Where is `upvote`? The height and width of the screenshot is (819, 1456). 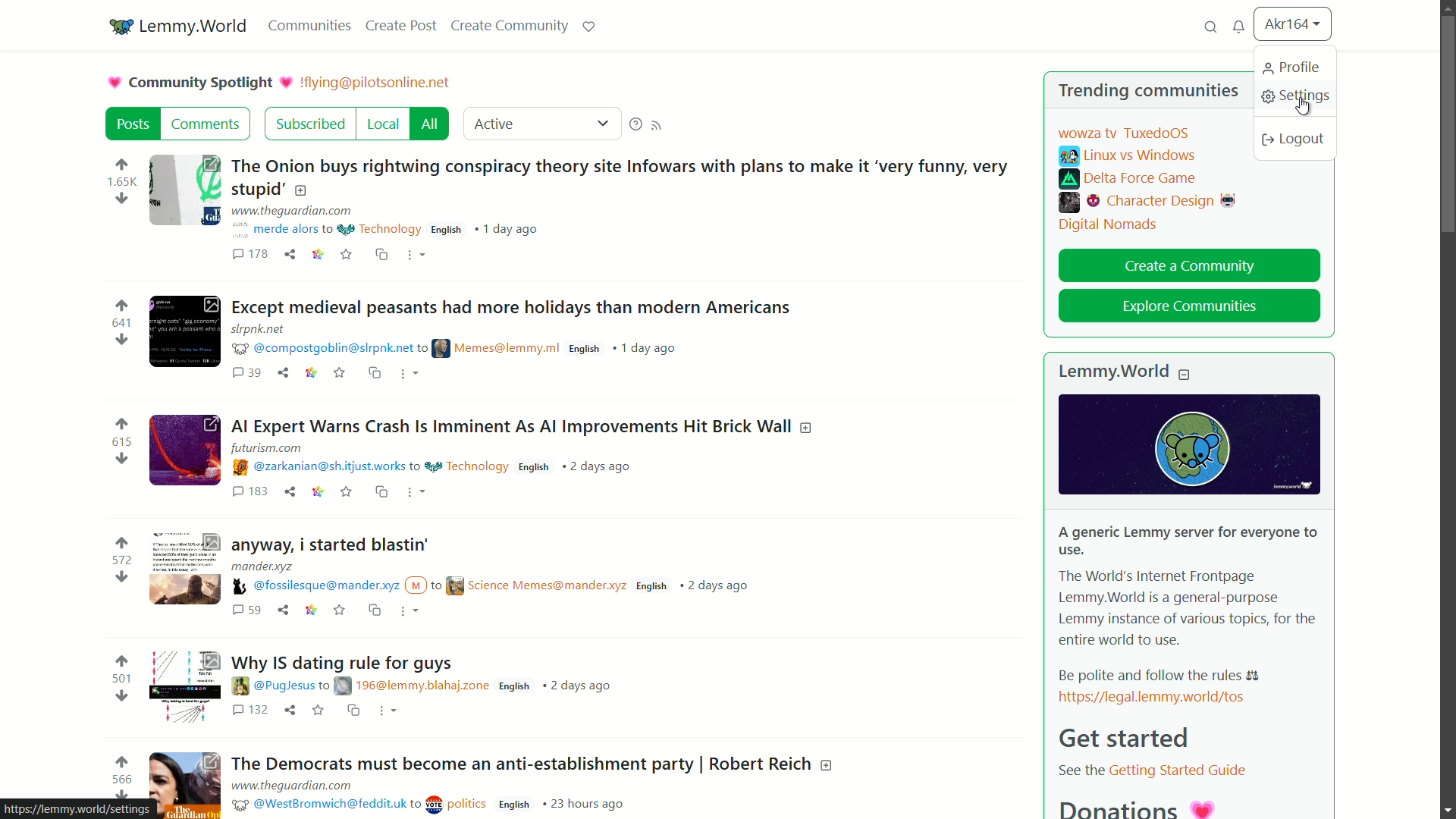
upvote is located at coordinates (124, 306).